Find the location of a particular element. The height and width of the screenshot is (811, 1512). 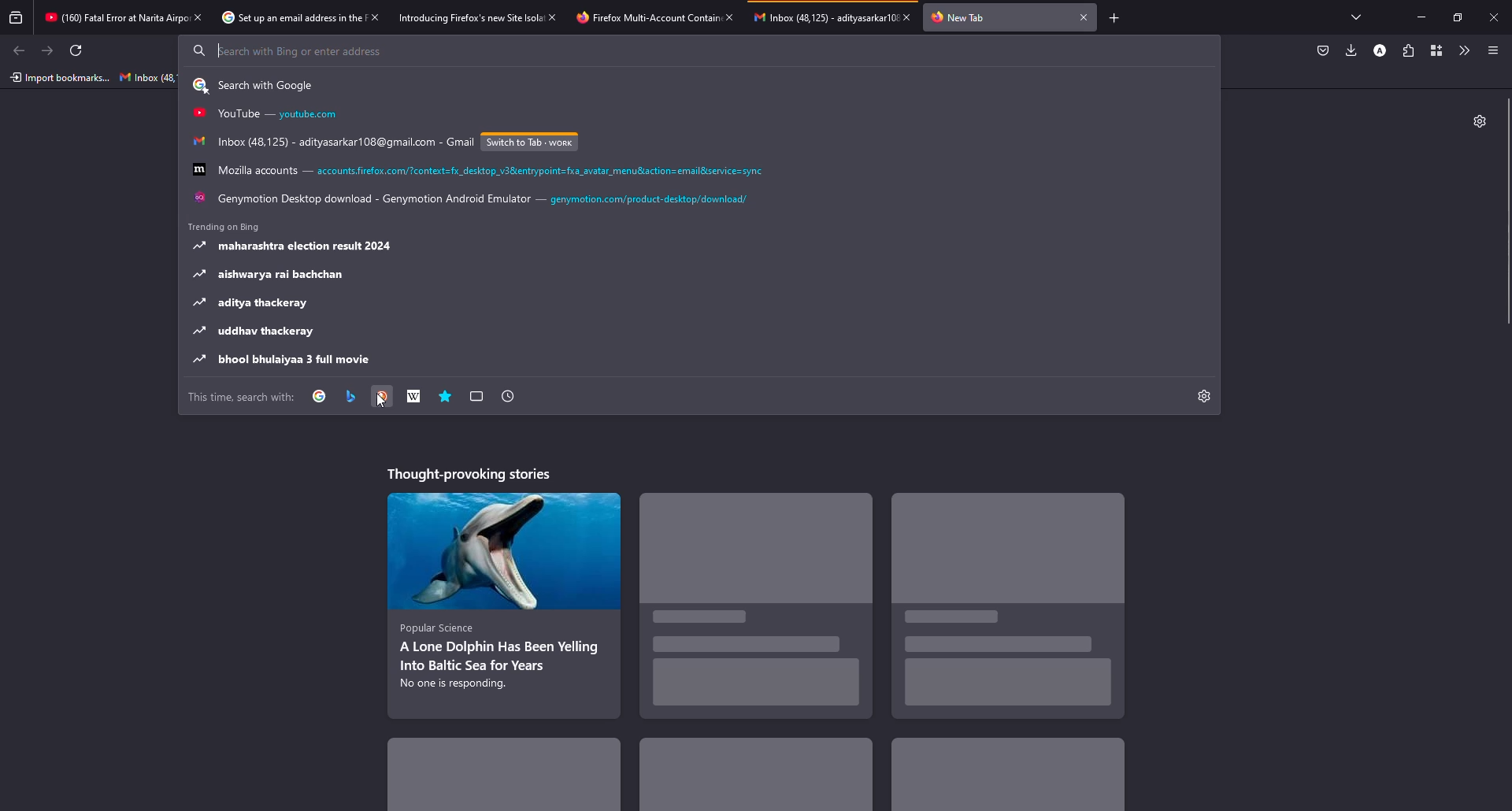

search options is located at coordinates (258, 332).